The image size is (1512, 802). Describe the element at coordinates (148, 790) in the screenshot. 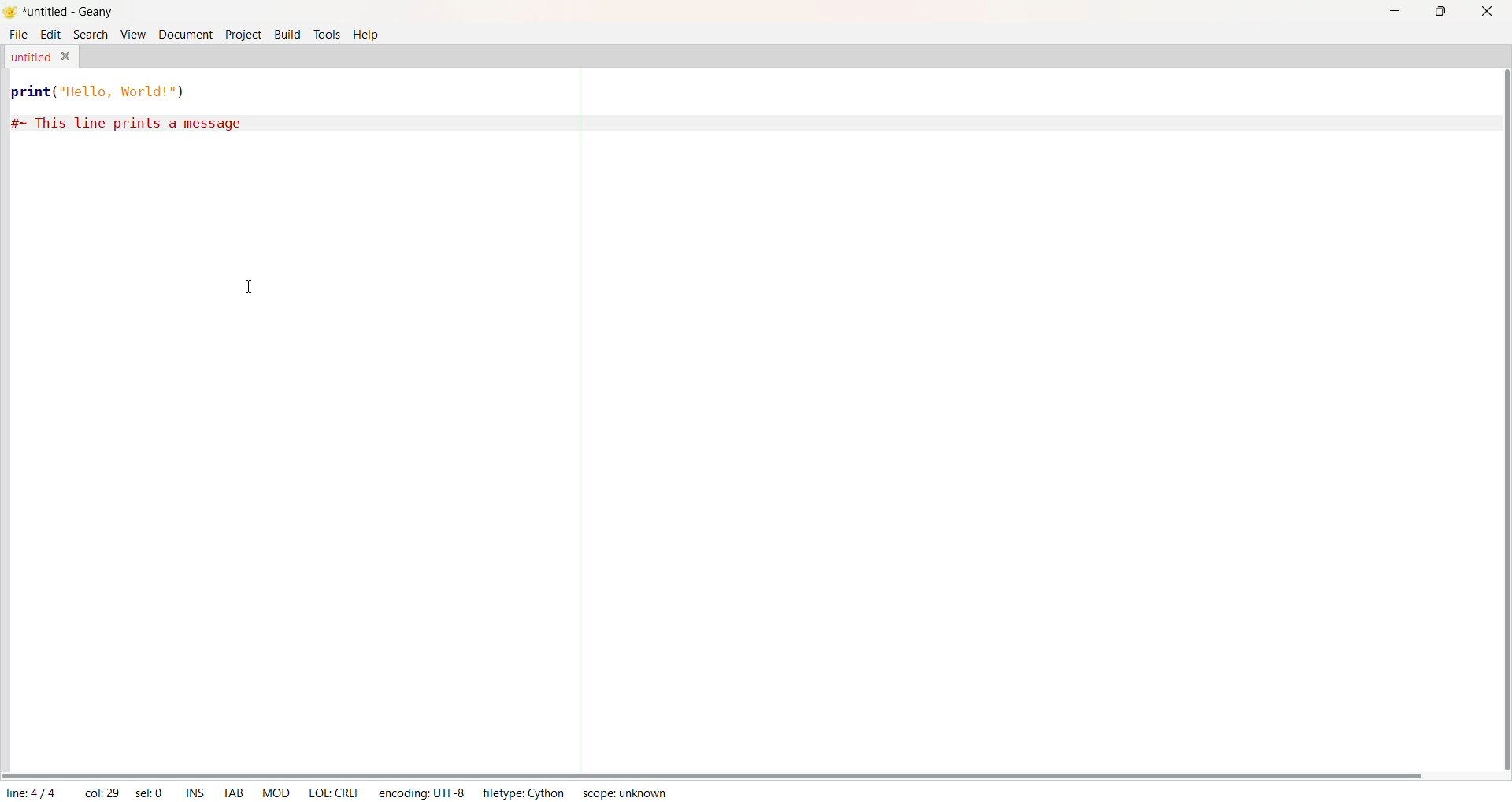

I see `sel: 0` at that location.